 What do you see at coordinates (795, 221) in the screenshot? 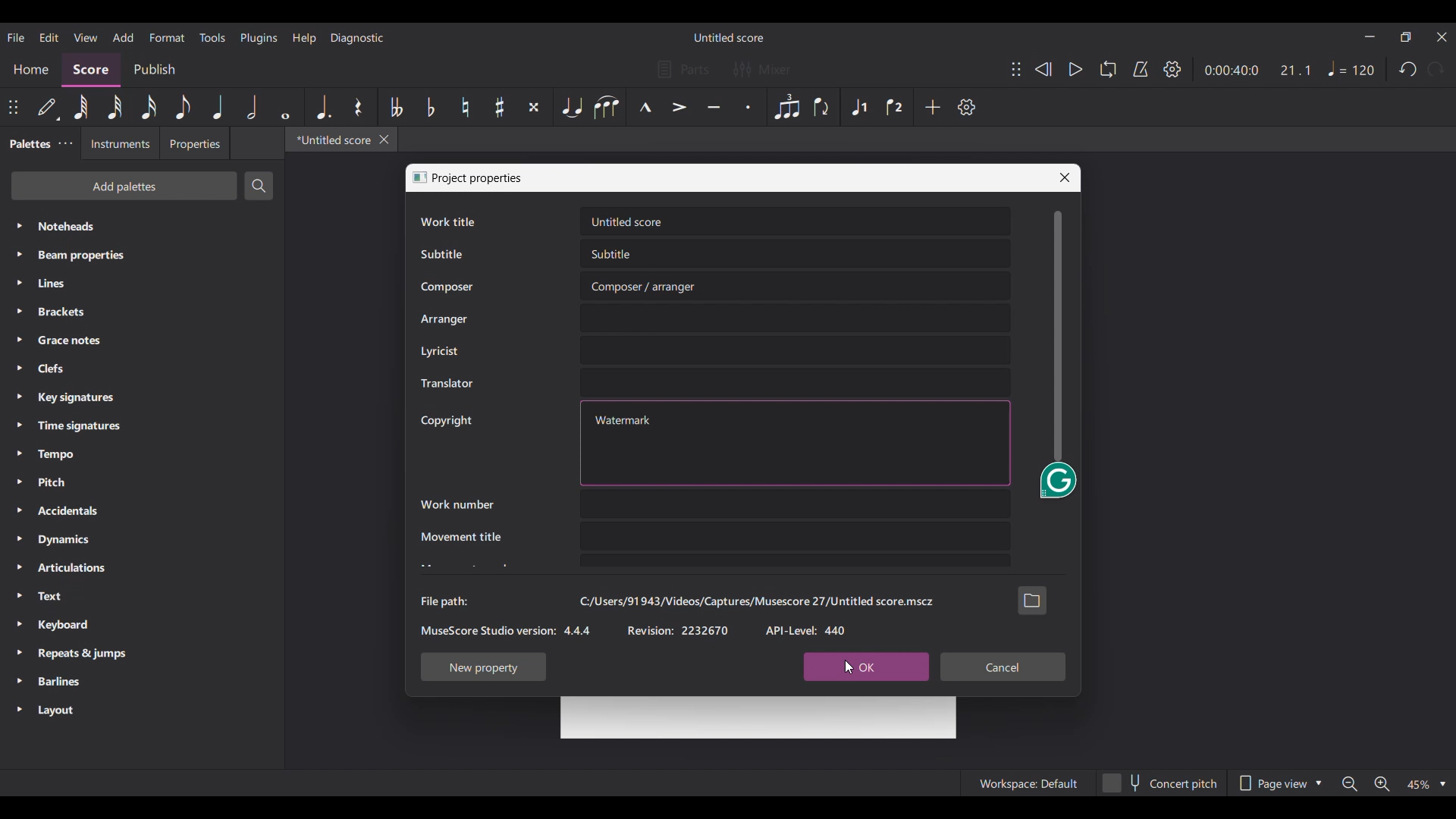
I see `Text box for Work title` at bounding box center [795, 221].